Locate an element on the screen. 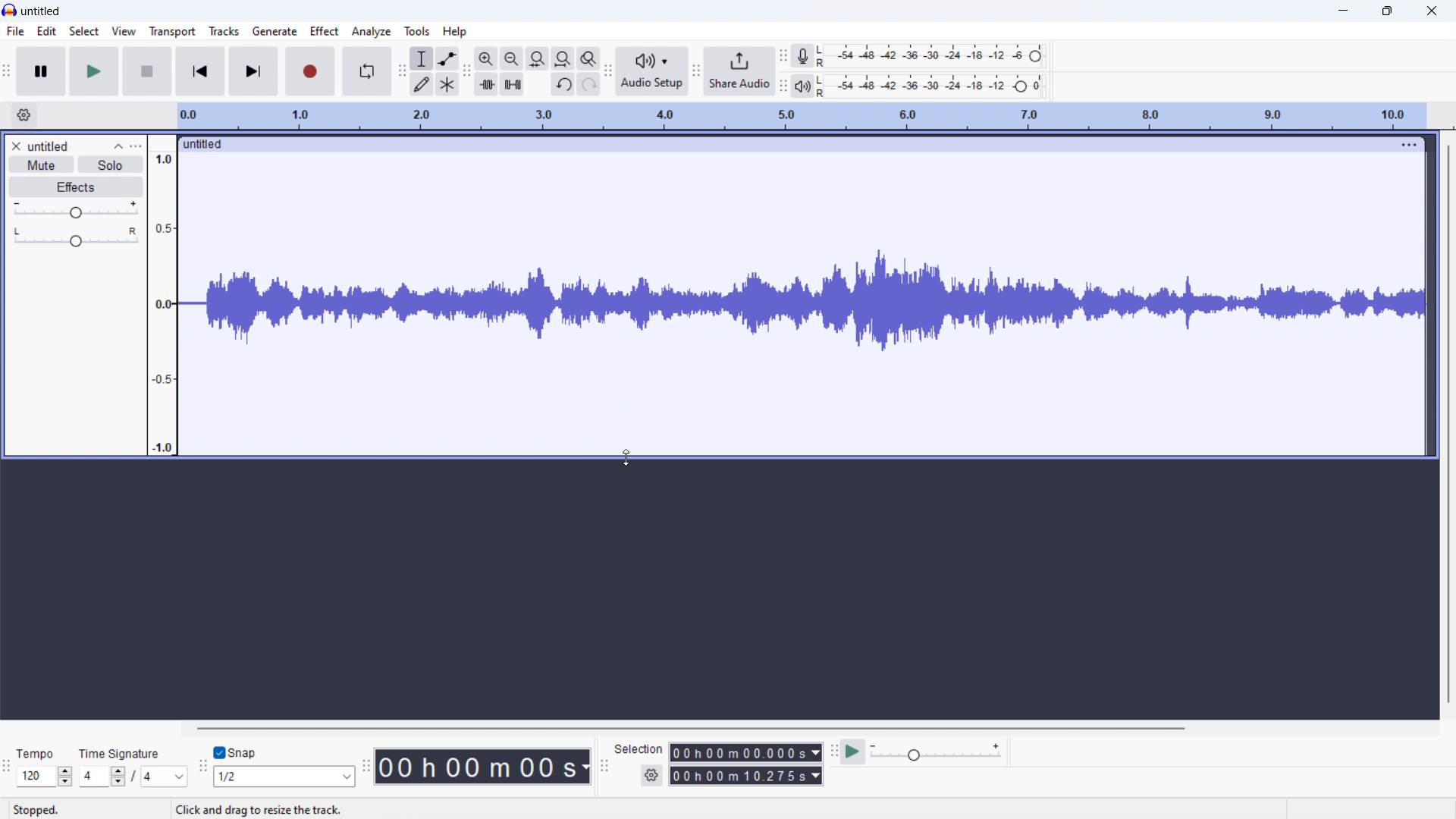  toggle zoom is located at coordinates (588, 58).